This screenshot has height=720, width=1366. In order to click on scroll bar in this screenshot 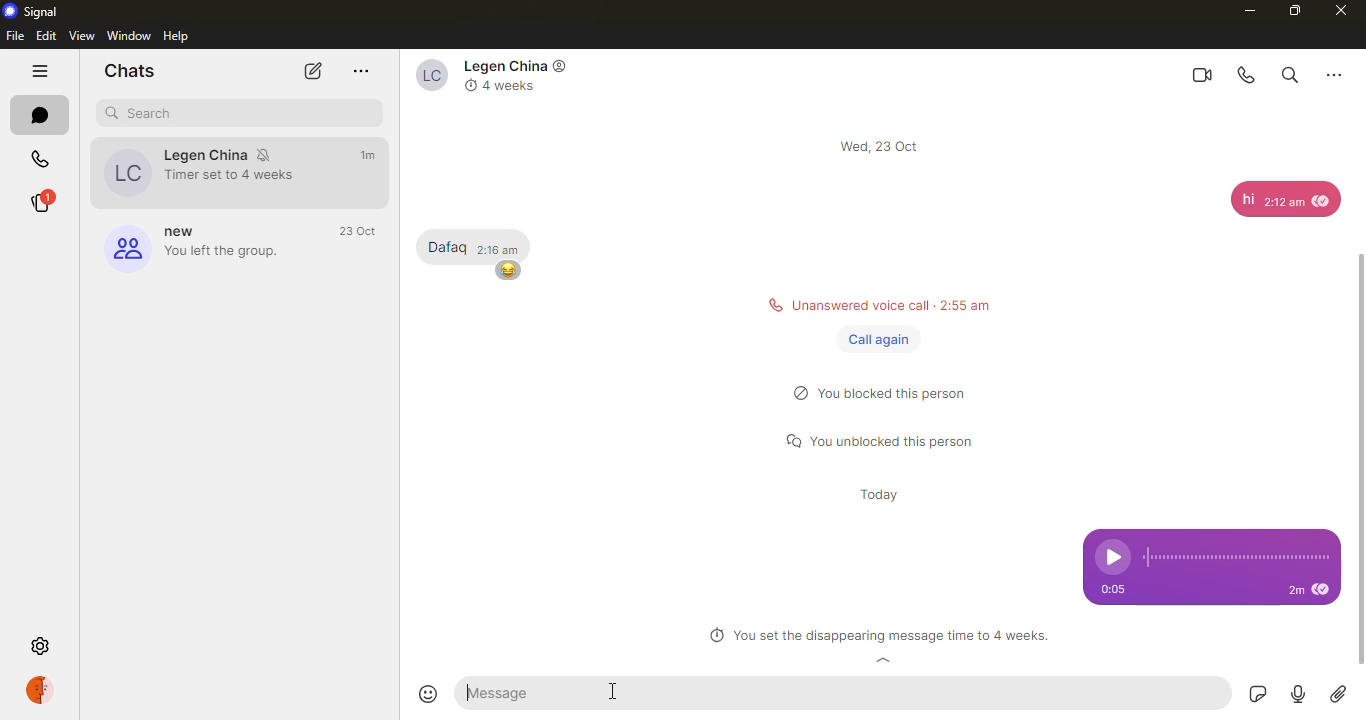, I will do `click(1365, 436)`.